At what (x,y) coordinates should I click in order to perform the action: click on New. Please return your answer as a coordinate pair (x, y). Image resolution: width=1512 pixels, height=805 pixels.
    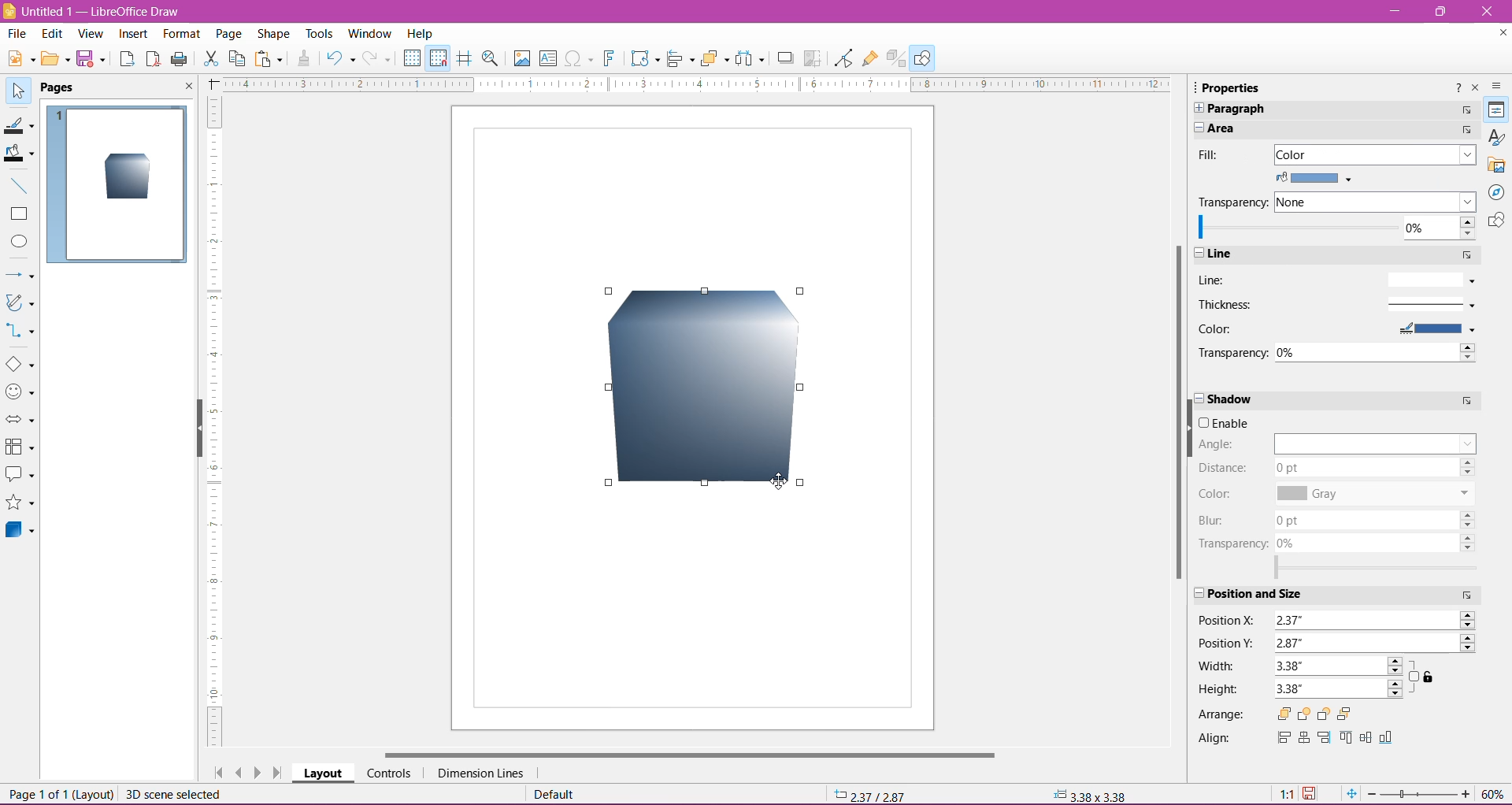
    Looking at the image, I should click on (19, 57).